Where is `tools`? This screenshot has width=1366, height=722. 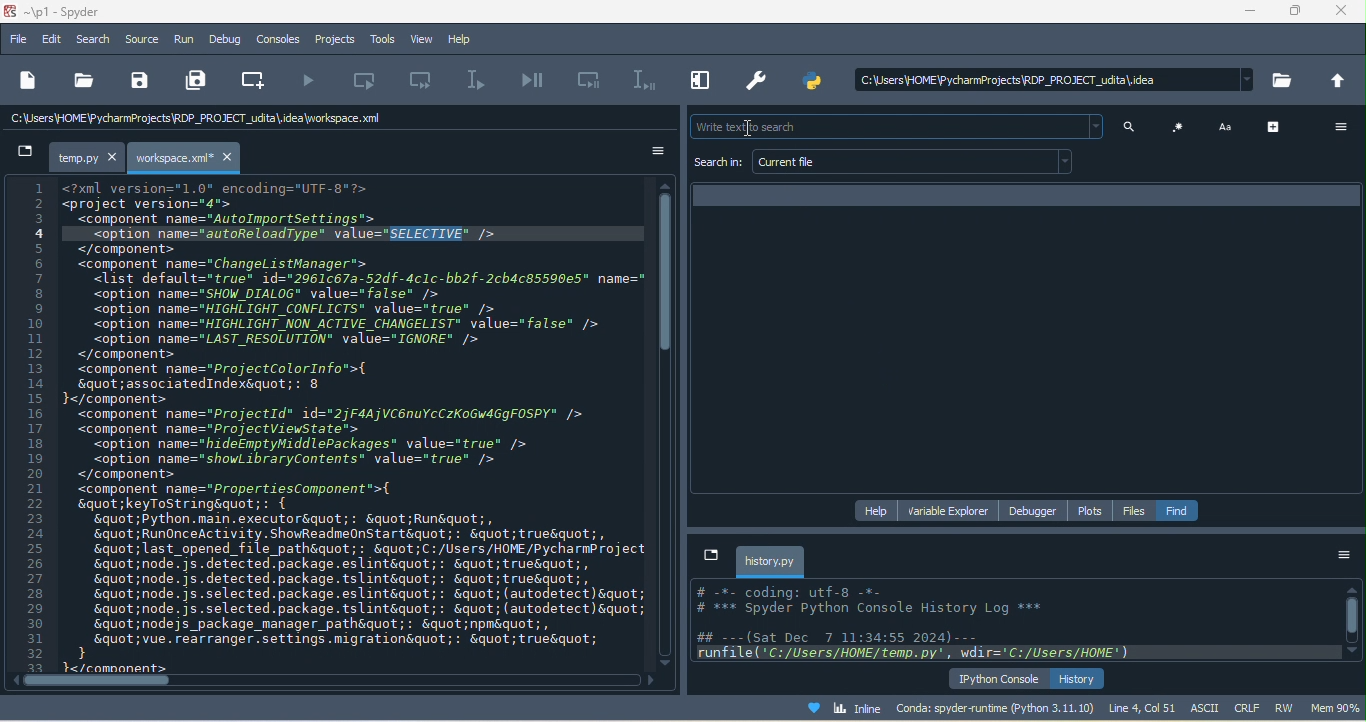 tools is located at coordinates (379, 40).